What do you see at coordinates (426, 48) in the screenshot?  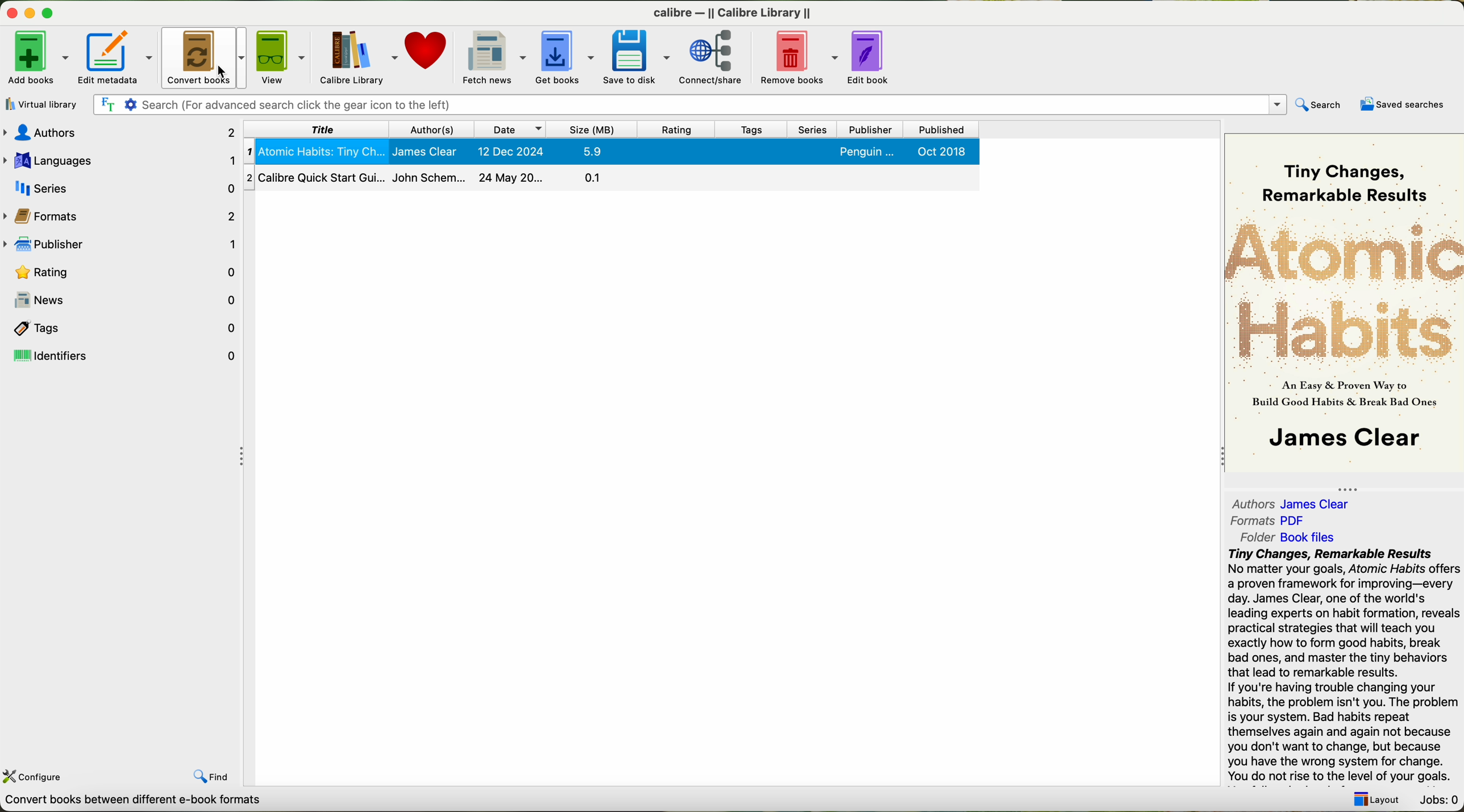 I see `donate` at bounding box center [426, 48].